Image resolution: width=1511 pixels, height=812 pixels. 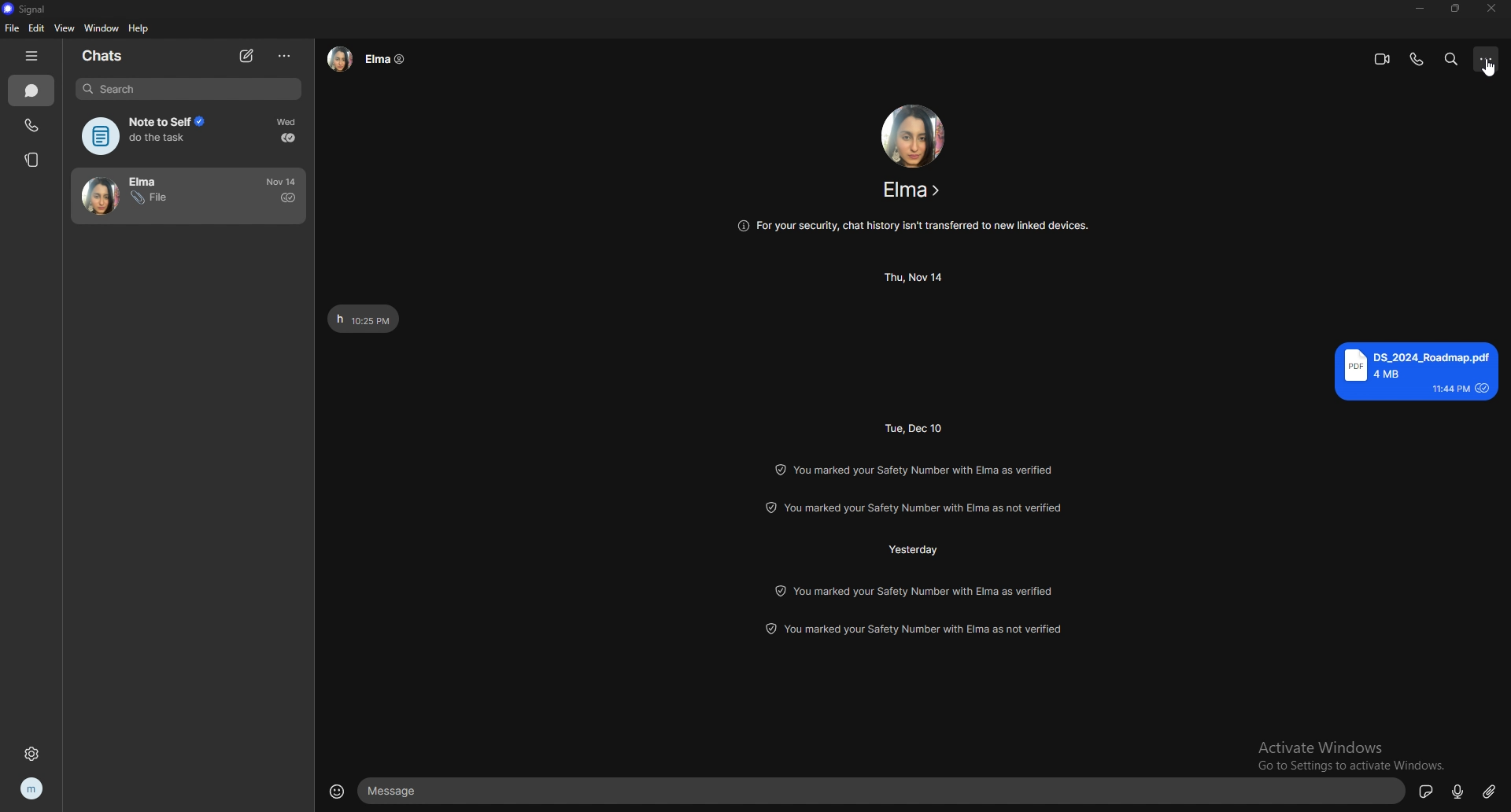 I want to click on view, so click(x=65, y=28).